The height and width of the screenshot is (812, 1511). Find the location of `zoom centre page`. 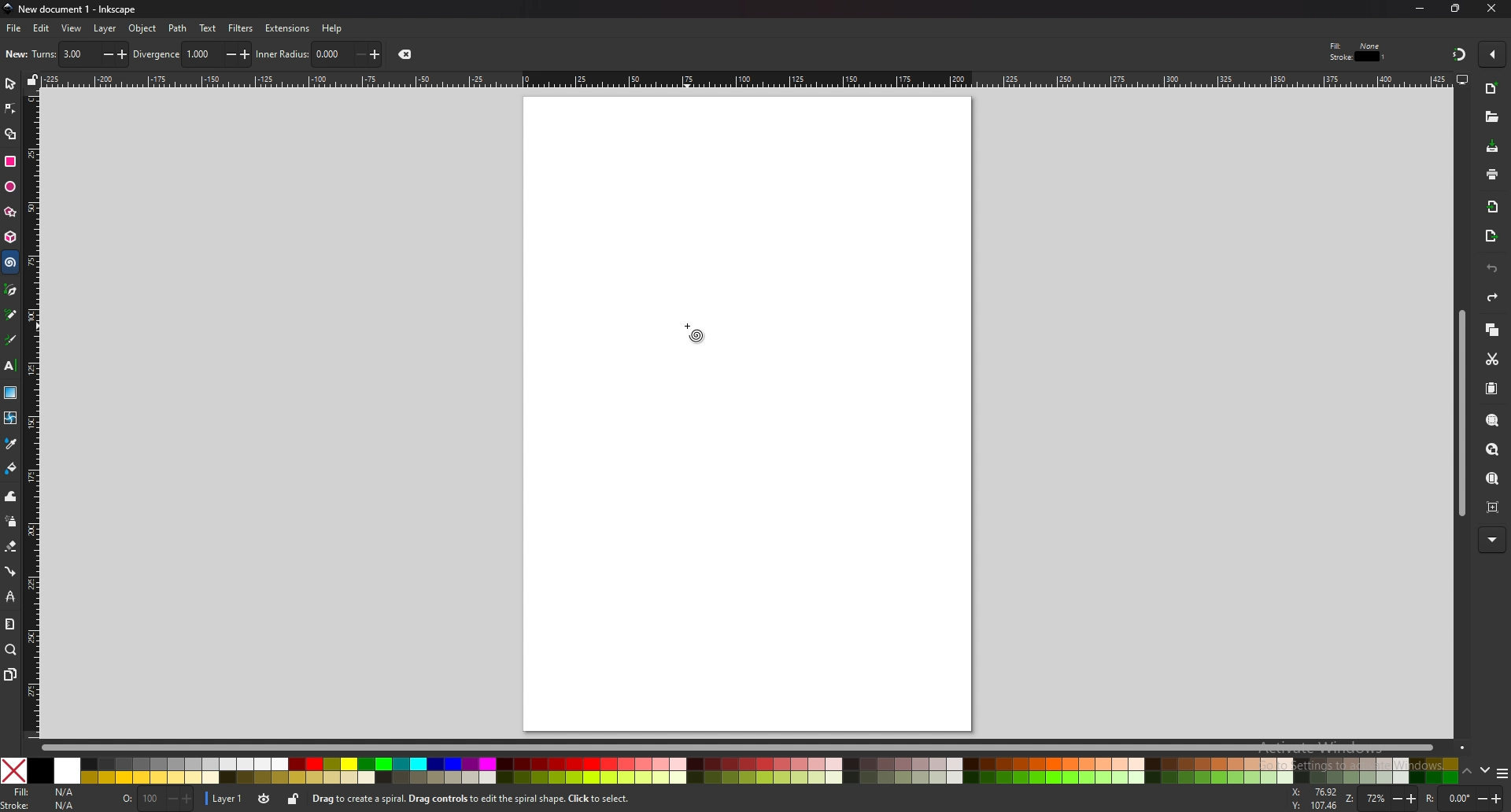

zoom centre page is located at coordinates (1493, 507).